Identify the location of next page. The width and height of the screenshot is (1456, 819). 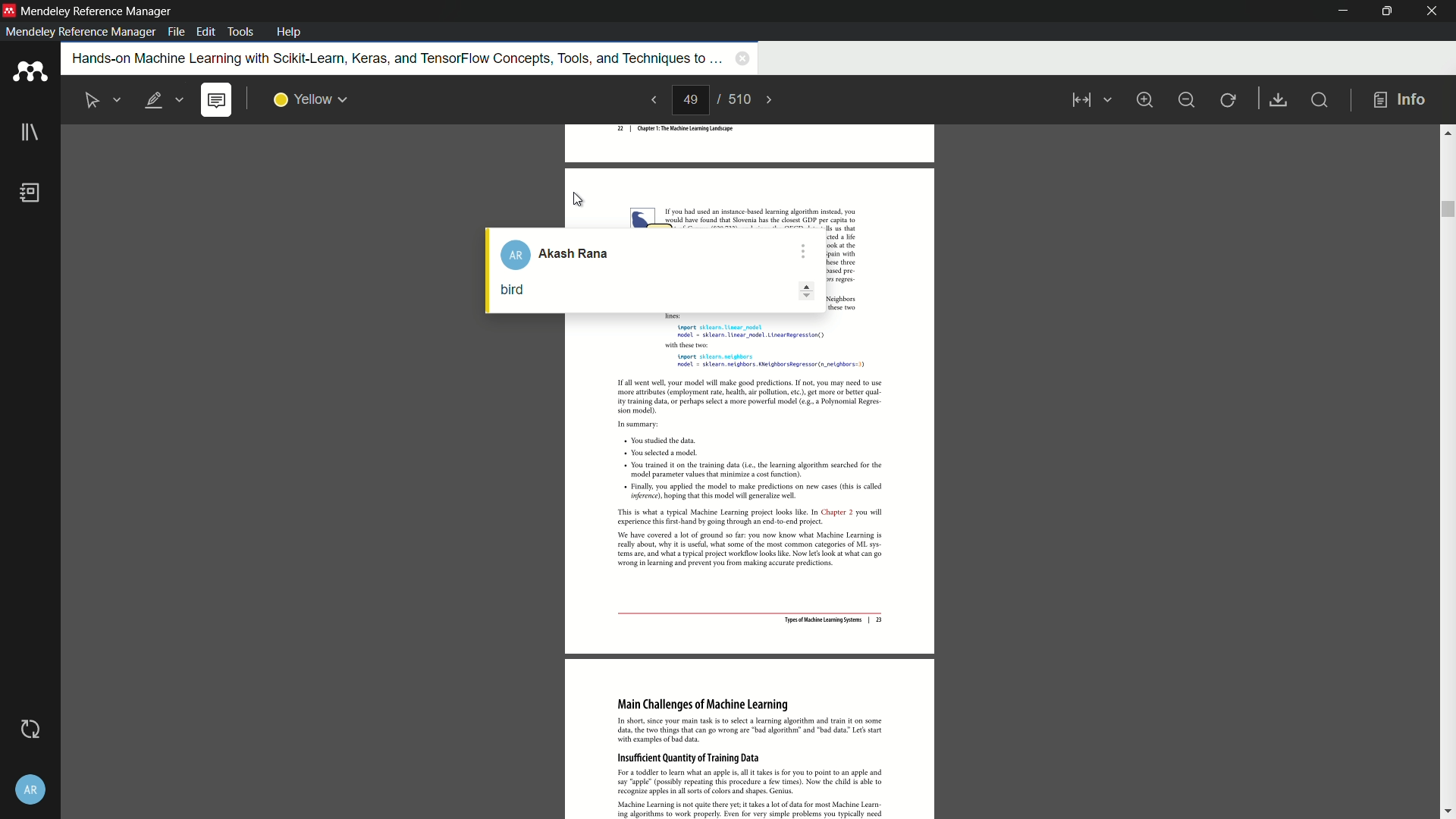
(777, 99).